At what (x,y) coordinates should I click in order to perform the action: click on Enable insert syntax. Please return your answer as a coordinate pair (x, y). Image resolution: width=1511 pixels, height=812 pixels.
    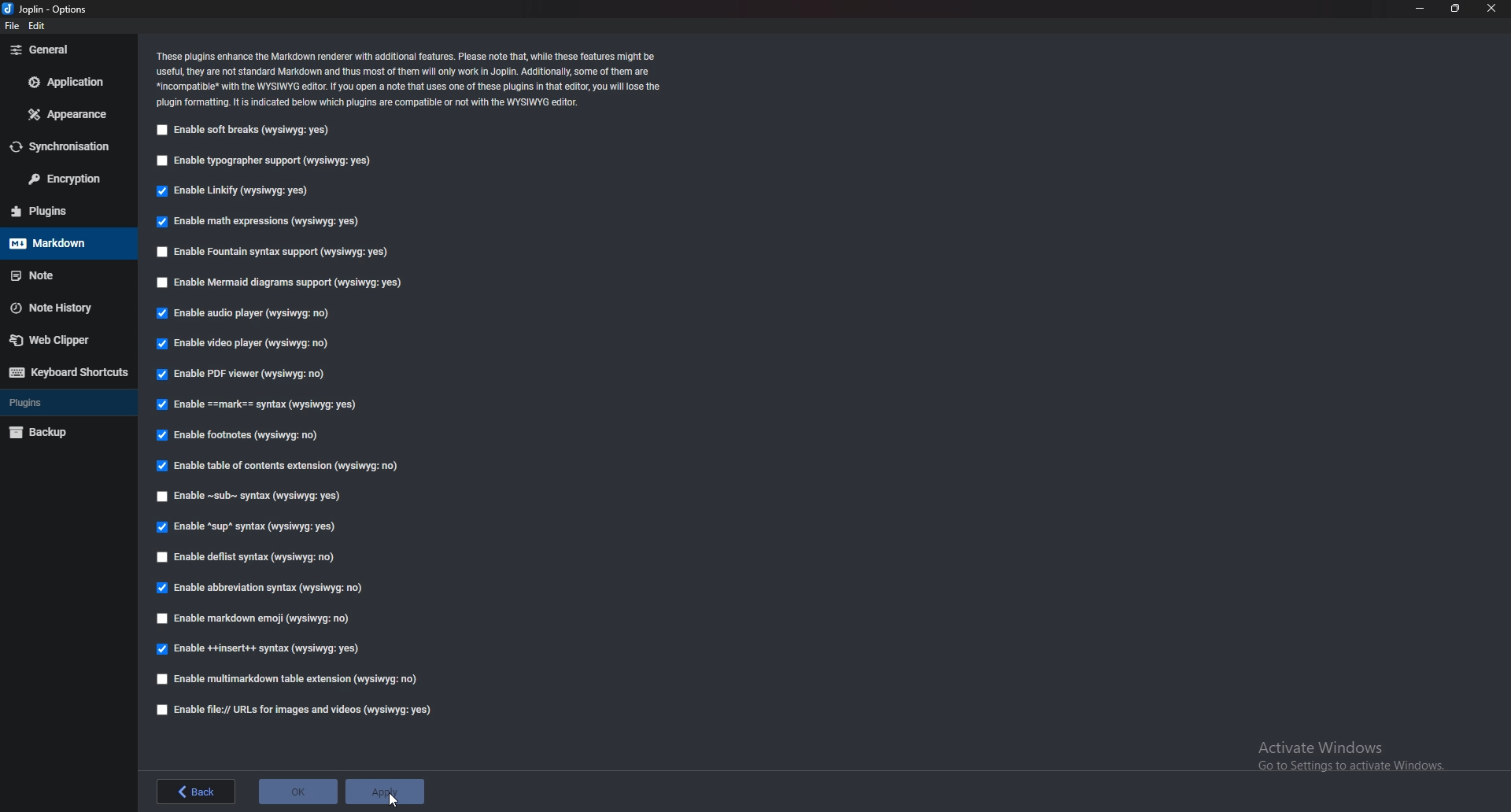
    Looking at the image, I should click on (266, 648).